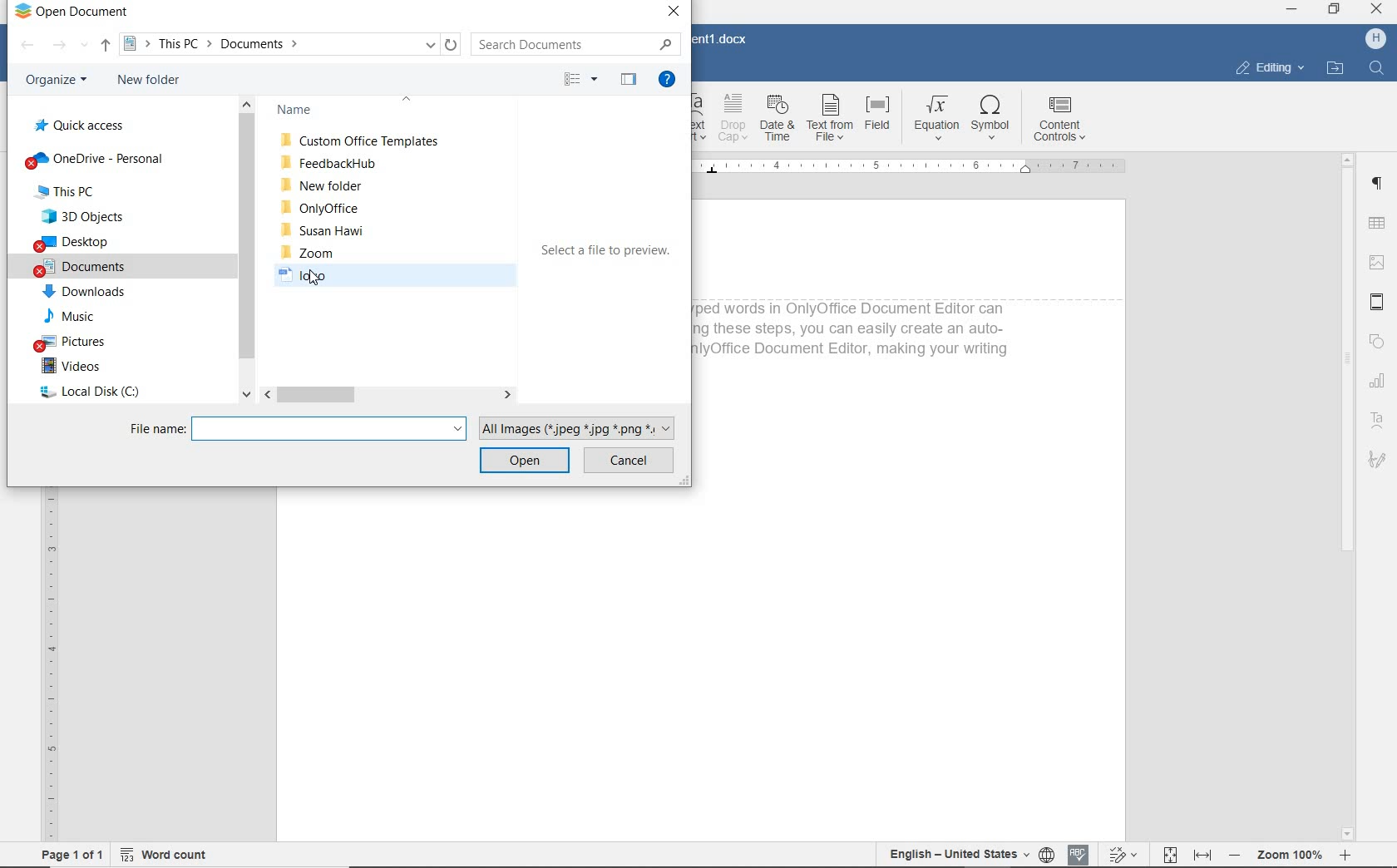  I want to click on Only Office, so click(322, 206).